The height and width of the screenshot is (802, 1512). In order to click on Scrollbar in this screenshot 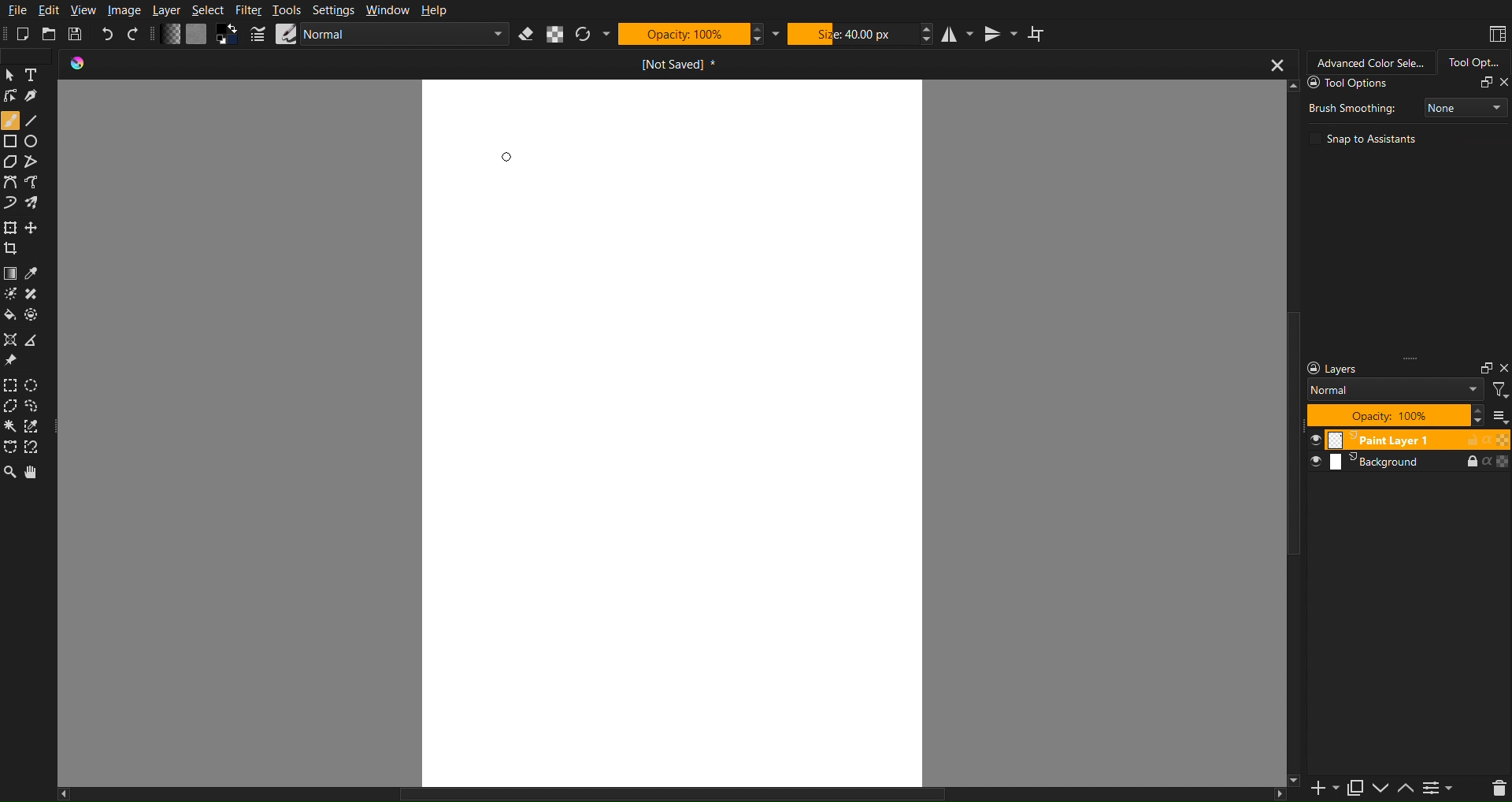, I will do `click(1289, 434)`.